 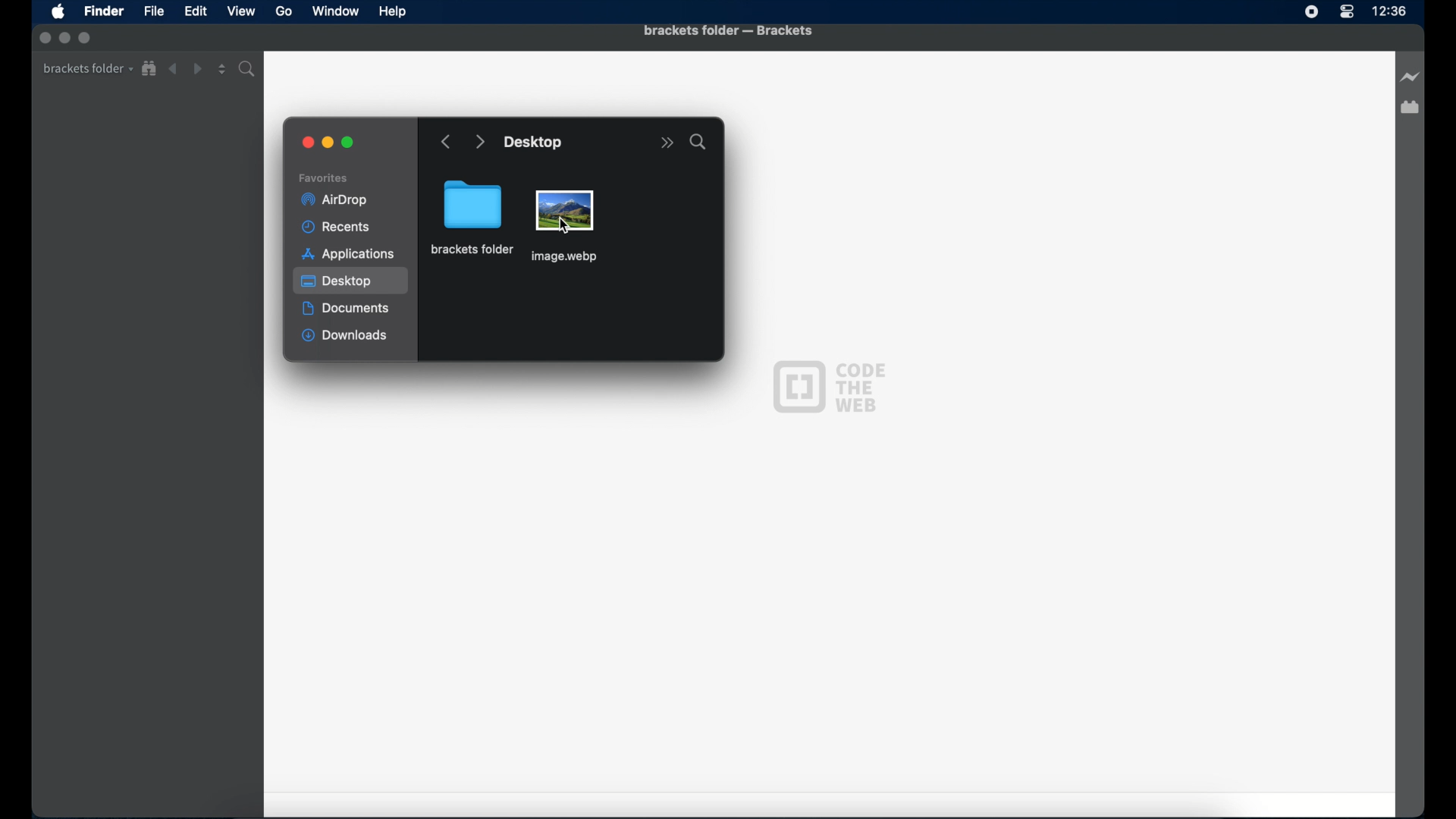 I want to click on apple icon, so click(x=58, y=13).